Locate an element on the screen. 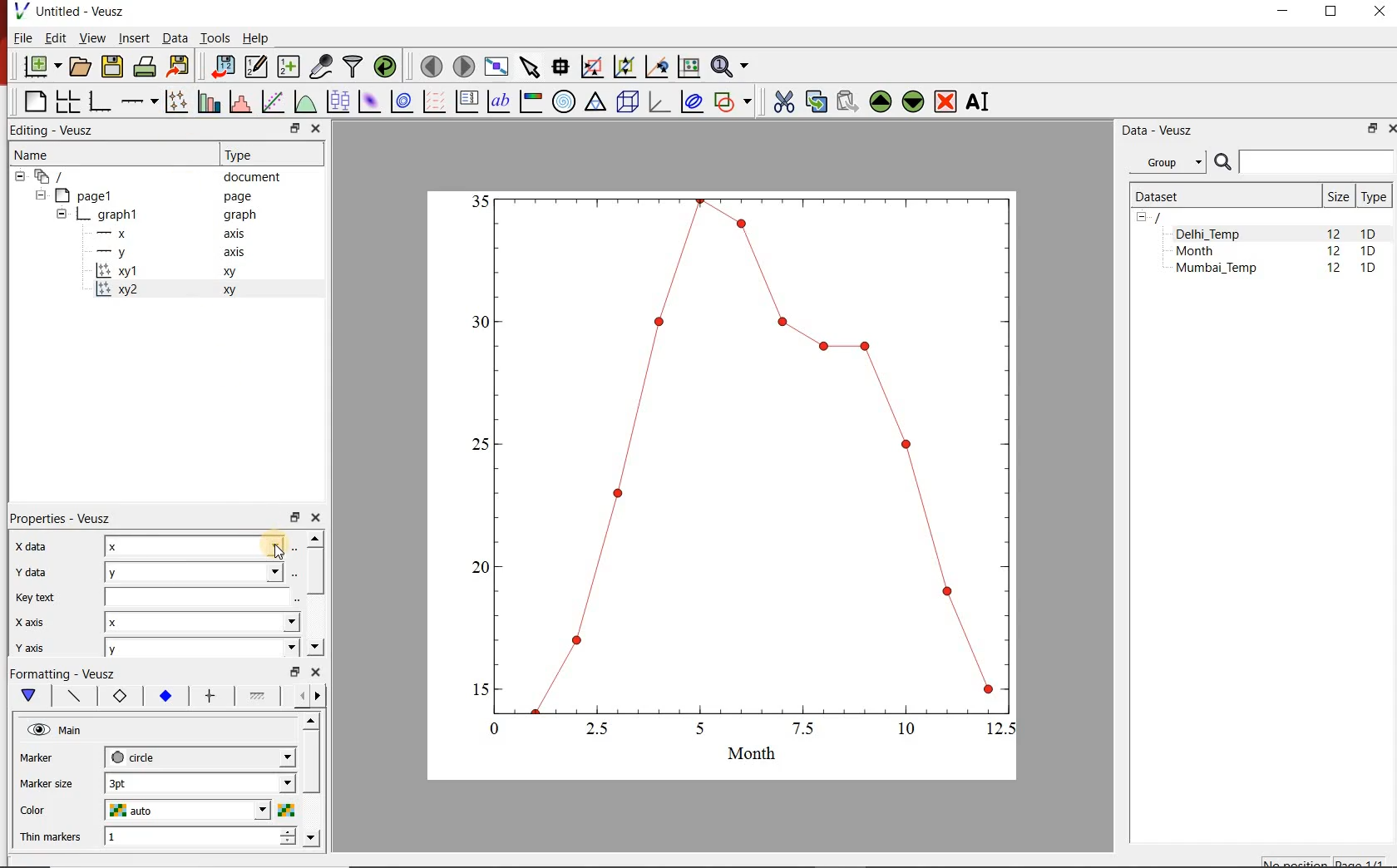  Properties - Veusz is located at coordinates (57, 519).